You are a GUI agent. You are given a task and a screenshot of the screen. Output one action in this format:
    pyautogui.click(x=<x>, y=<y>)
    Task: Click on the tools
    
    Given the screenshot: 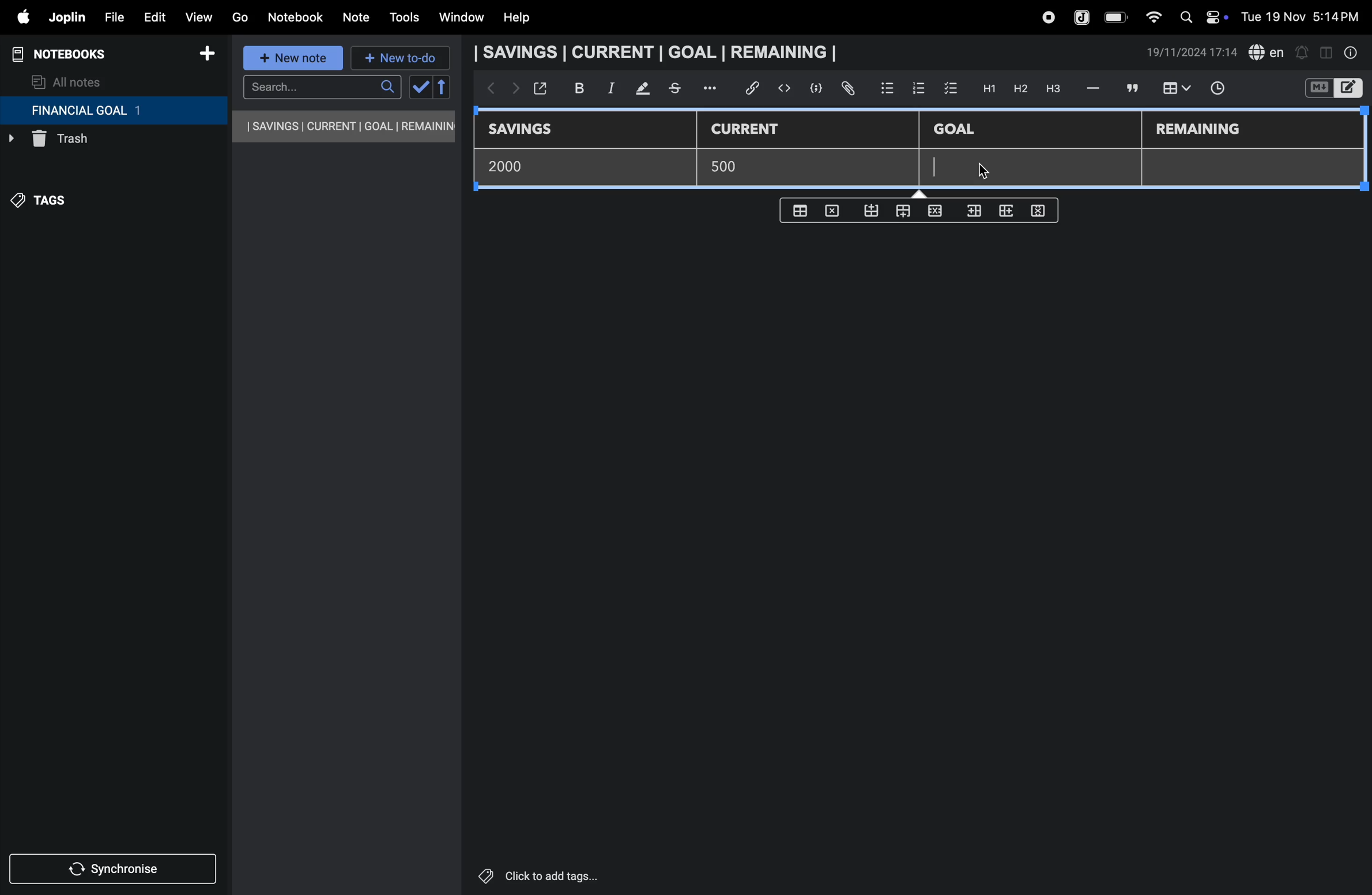 What is the action you would take?
    pyautogui.click(x=402, y=17)
    